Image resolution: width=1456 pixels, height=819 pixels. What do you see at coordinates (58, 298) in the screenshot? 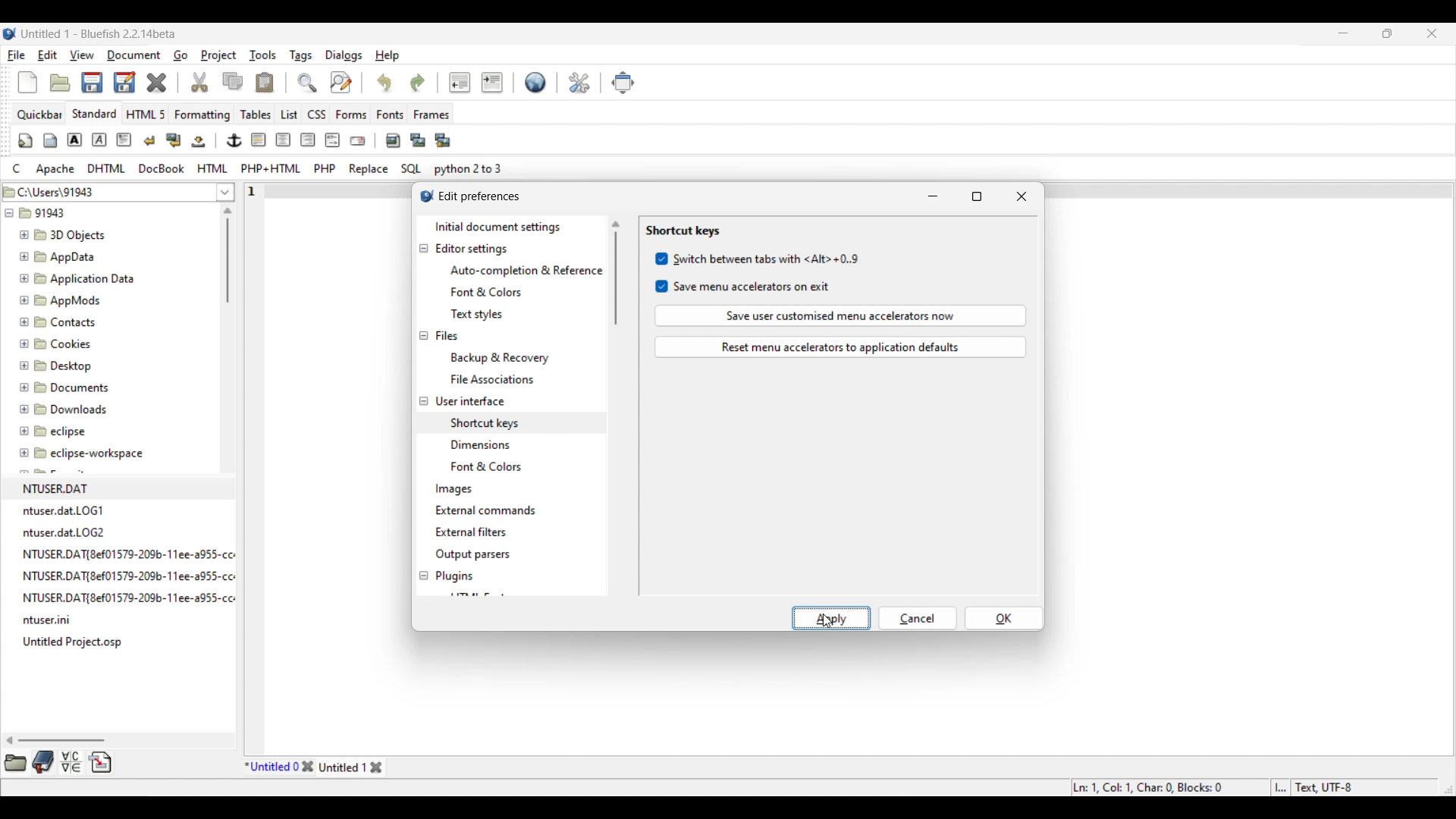
I see `AppMods` at bounding box center [58, 298].